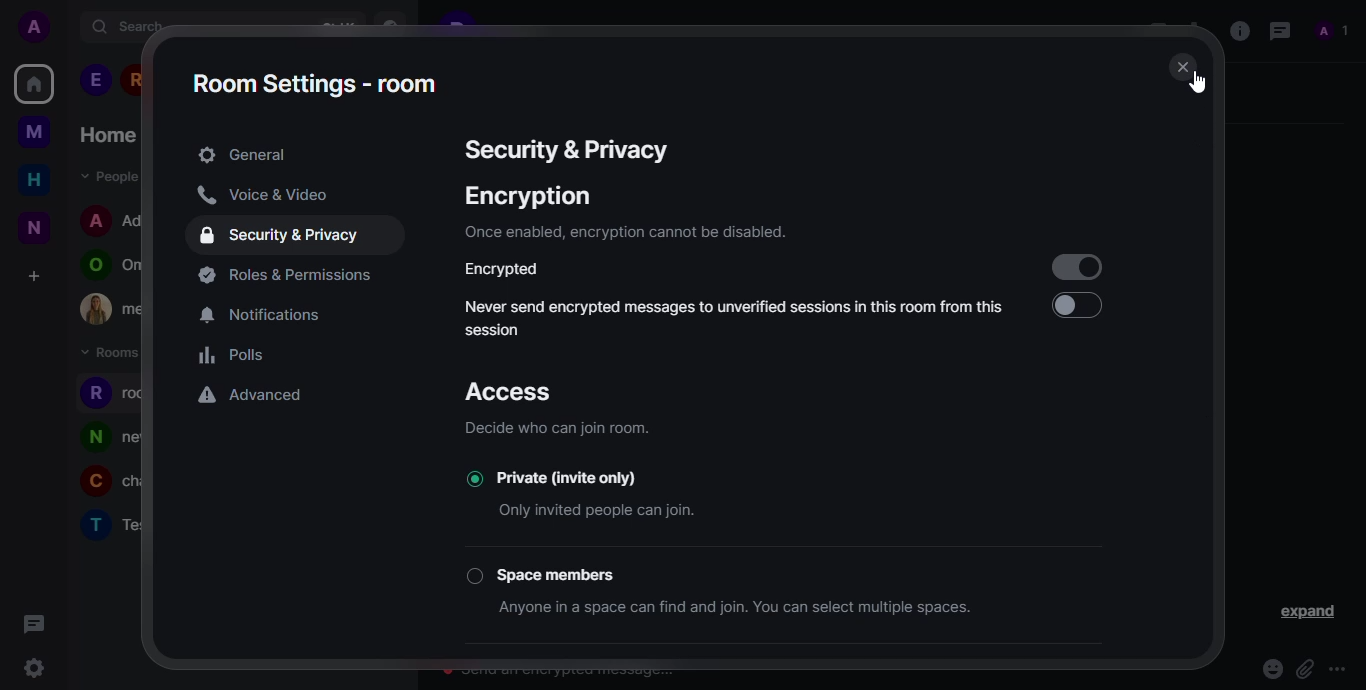  I want to click on voice & video, so click(262, 195).